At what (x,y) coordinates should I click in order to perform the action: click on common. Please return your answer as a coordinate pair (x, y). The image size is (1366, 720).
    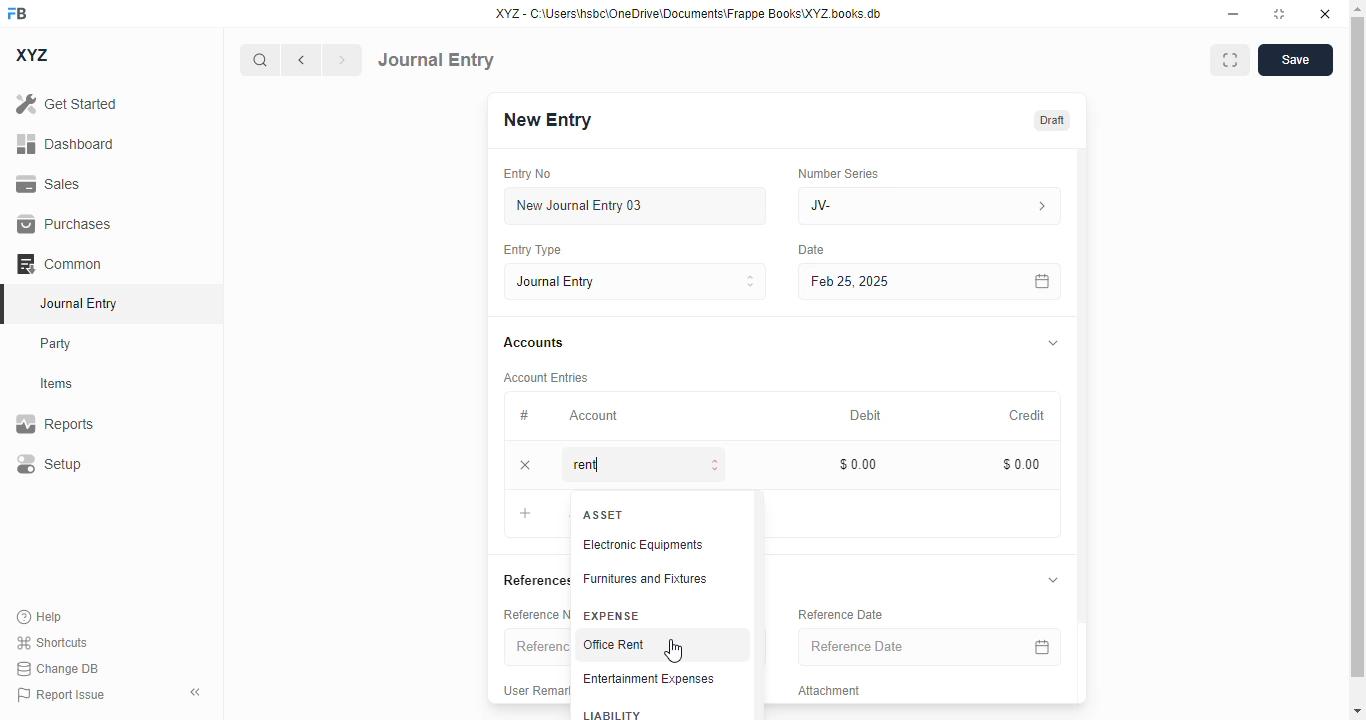
    Looking at the image, I should click on (59, 264).